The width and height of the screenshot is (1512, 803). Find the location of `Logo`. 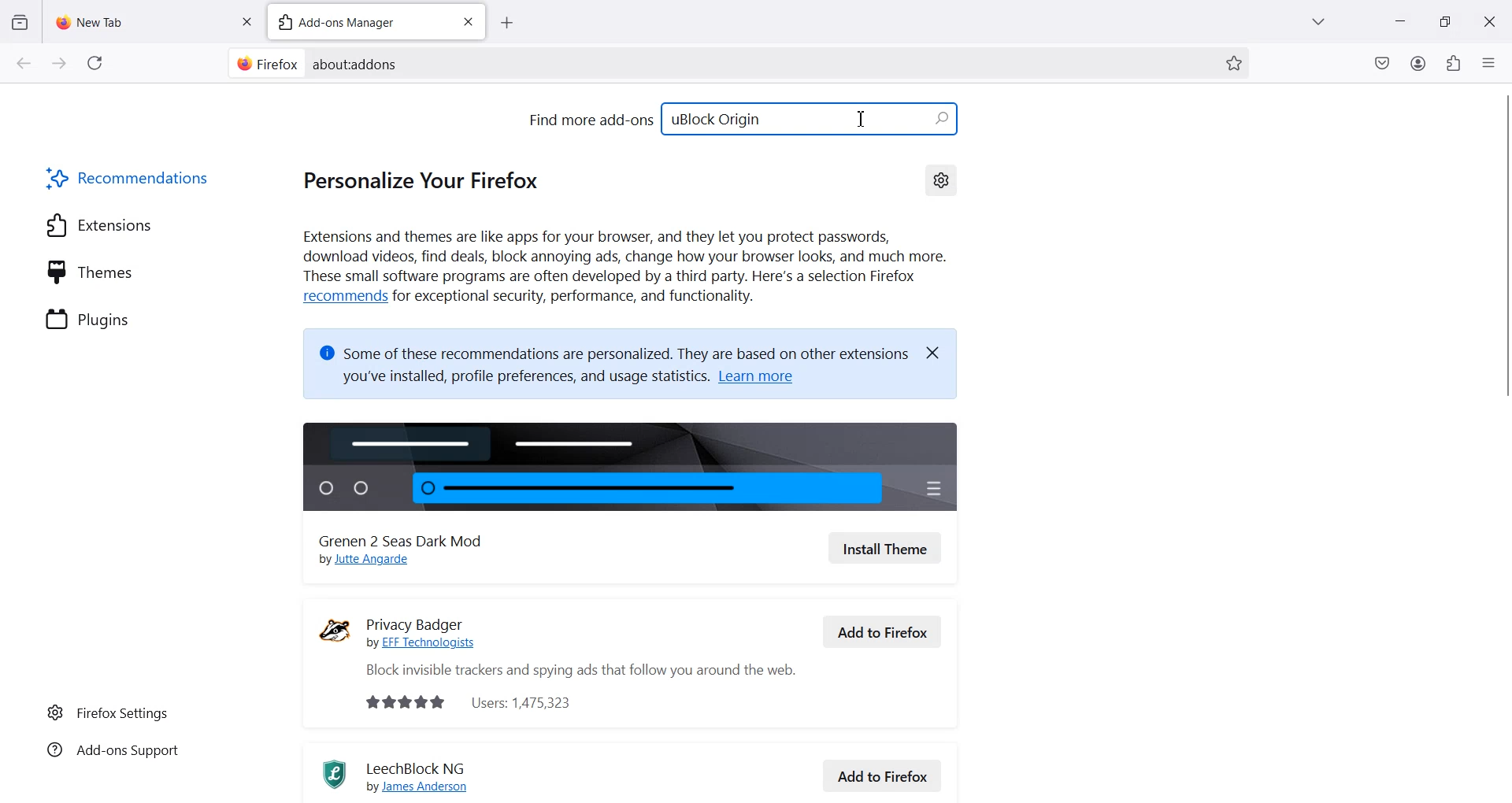

Logo is located at coordinates (328, 774).